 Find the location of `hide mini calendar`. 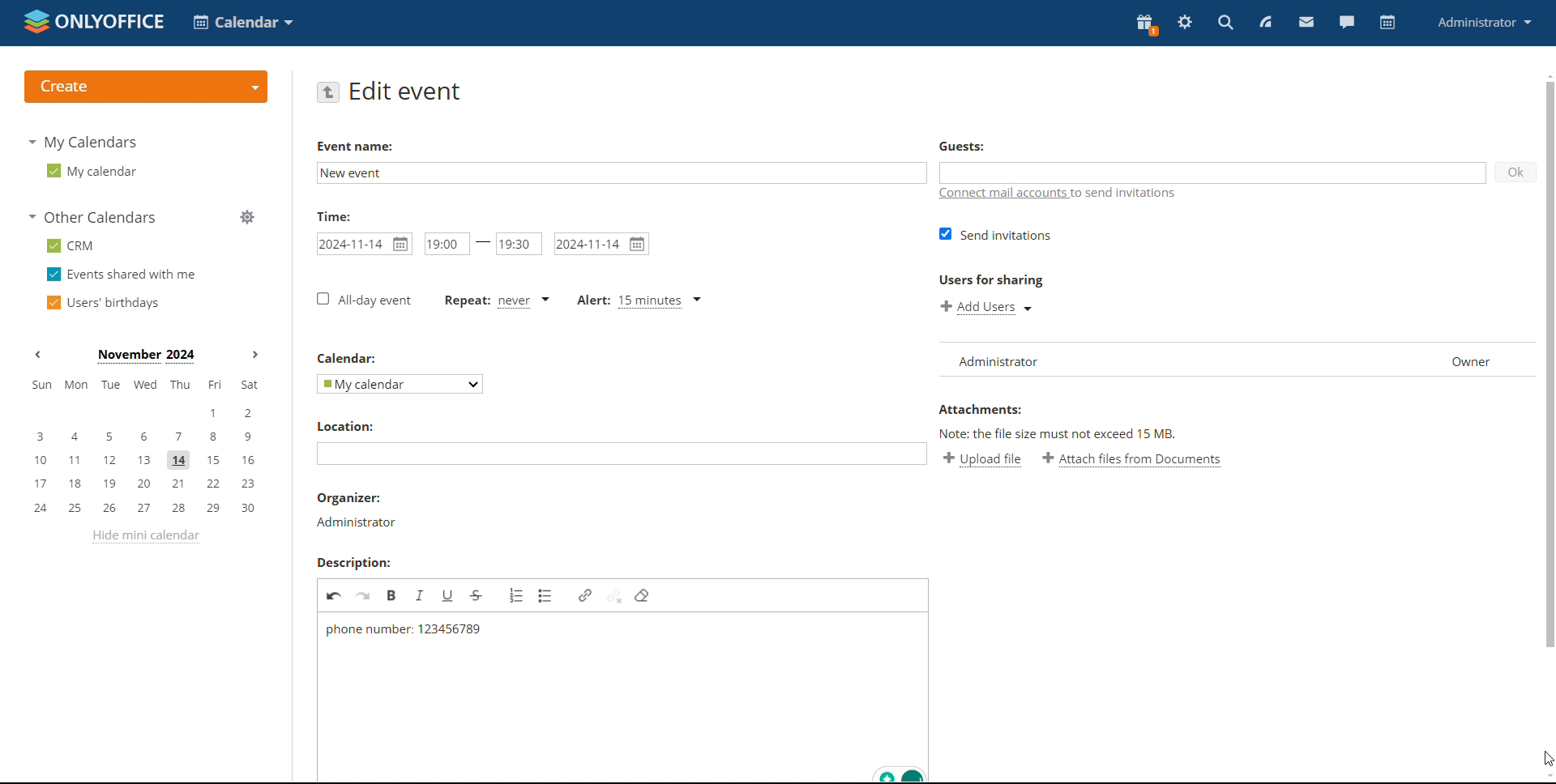

hide mini calendar is located at coordinates (146, 538).